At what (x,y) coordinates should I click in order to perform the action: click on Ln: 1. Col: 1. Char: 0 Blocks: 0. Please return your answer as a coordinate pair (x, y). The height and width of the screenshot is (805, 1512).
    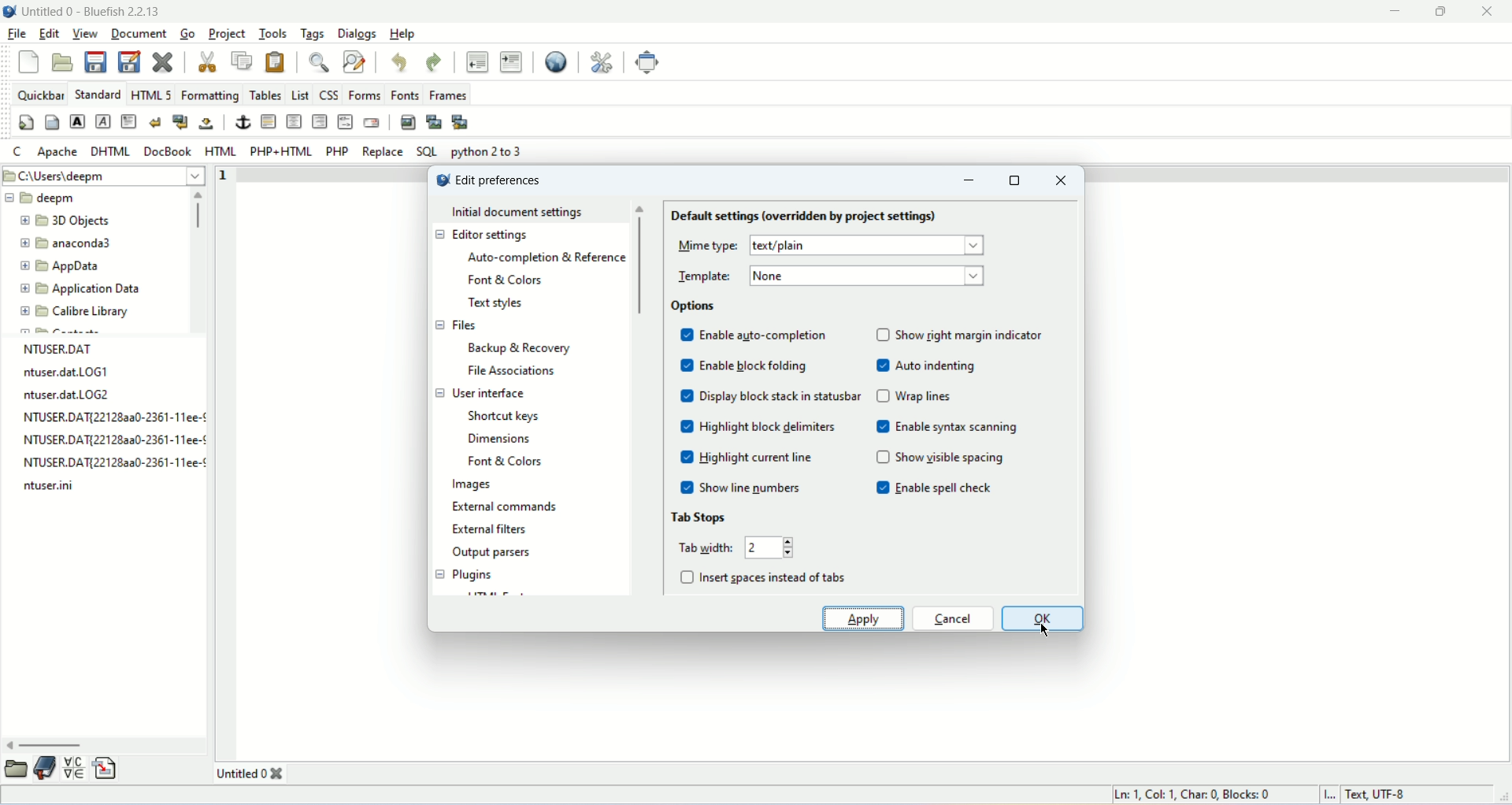
    Looking at the image, I should click on (1195, 793).